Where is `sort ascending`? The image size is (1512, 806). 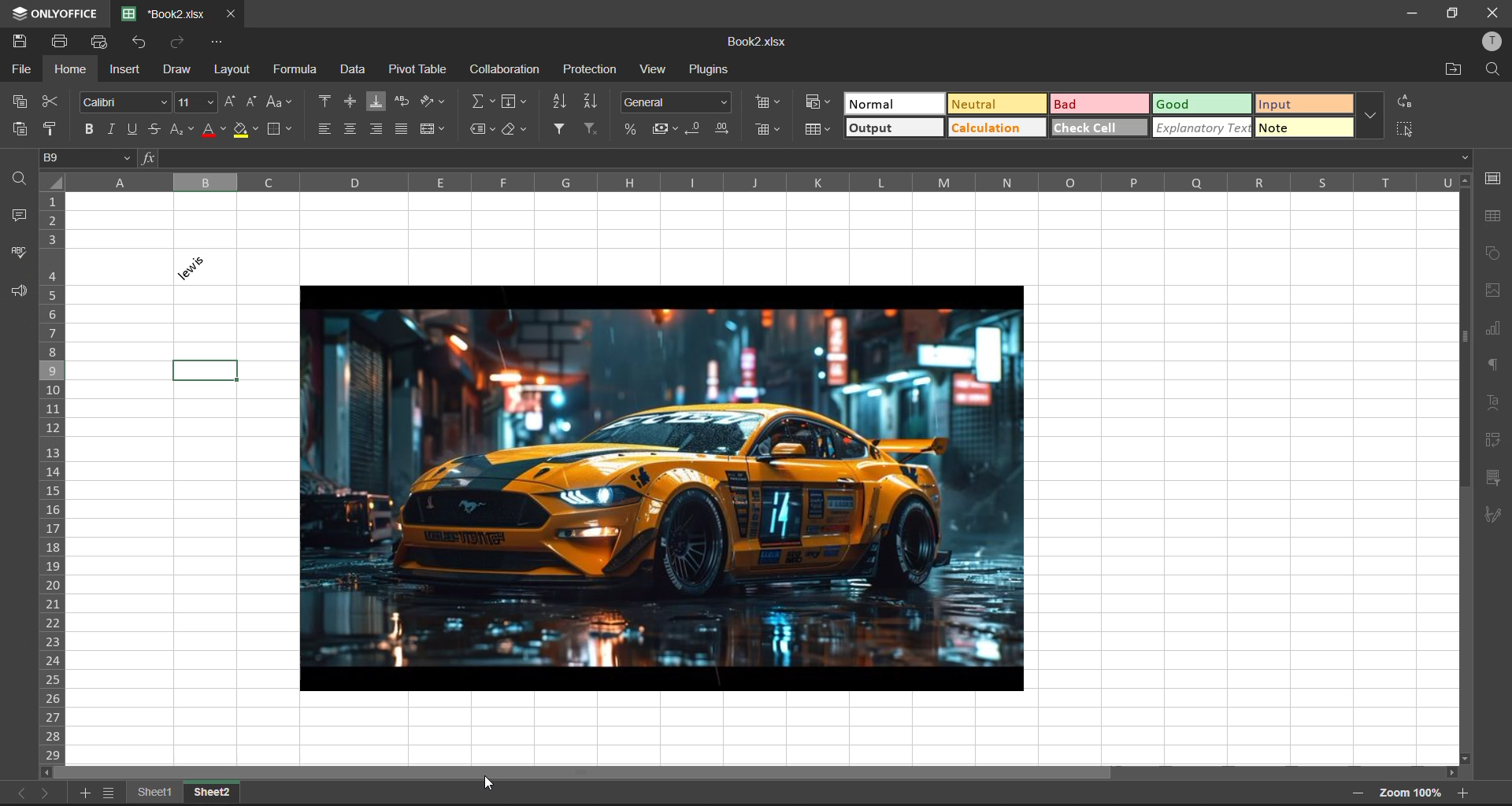
sort ascending is located at coordinates (560, 103).